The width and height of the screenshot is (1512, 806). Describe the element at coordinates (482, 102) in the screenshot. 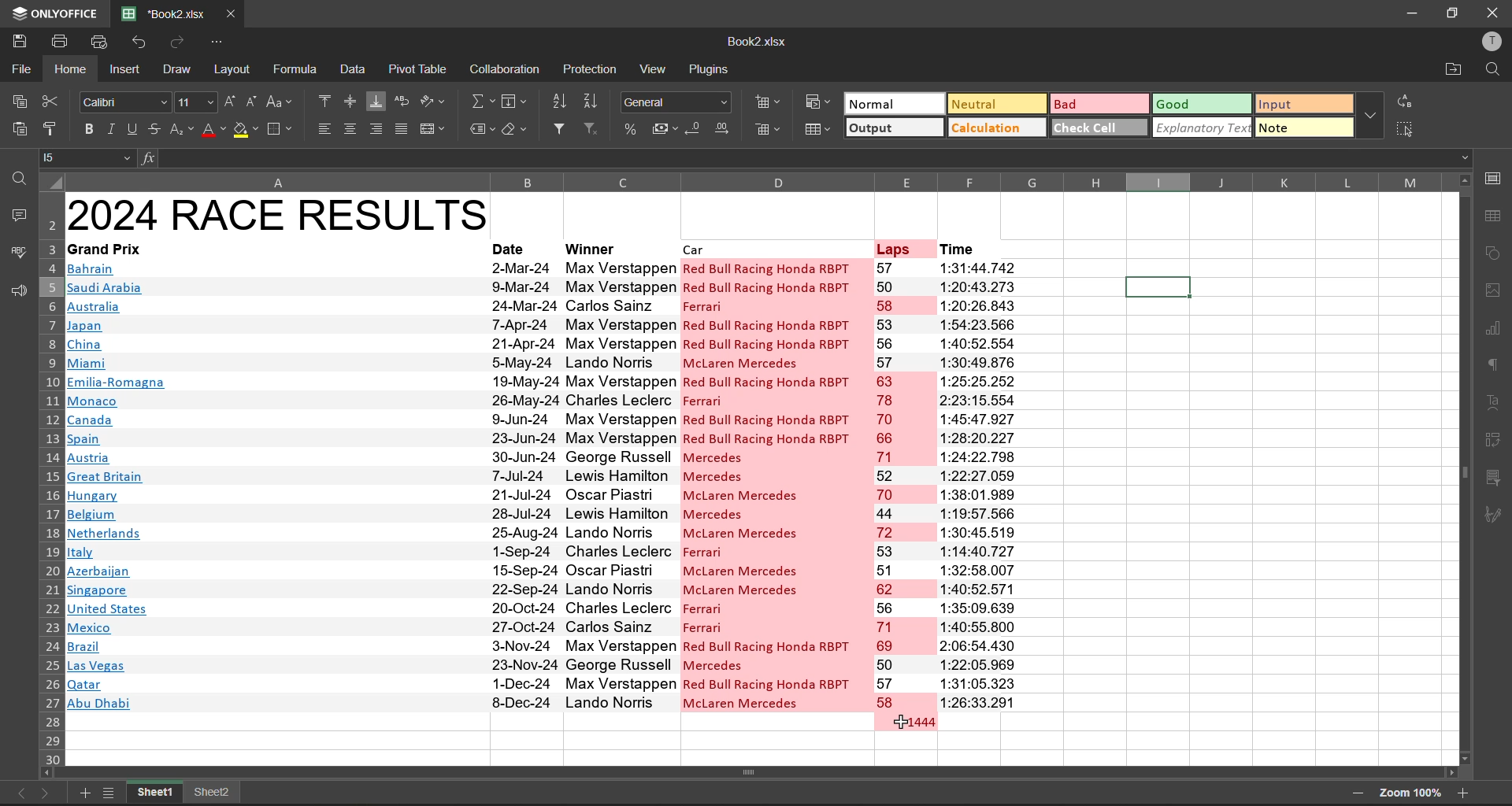

I see `summation` at that location.